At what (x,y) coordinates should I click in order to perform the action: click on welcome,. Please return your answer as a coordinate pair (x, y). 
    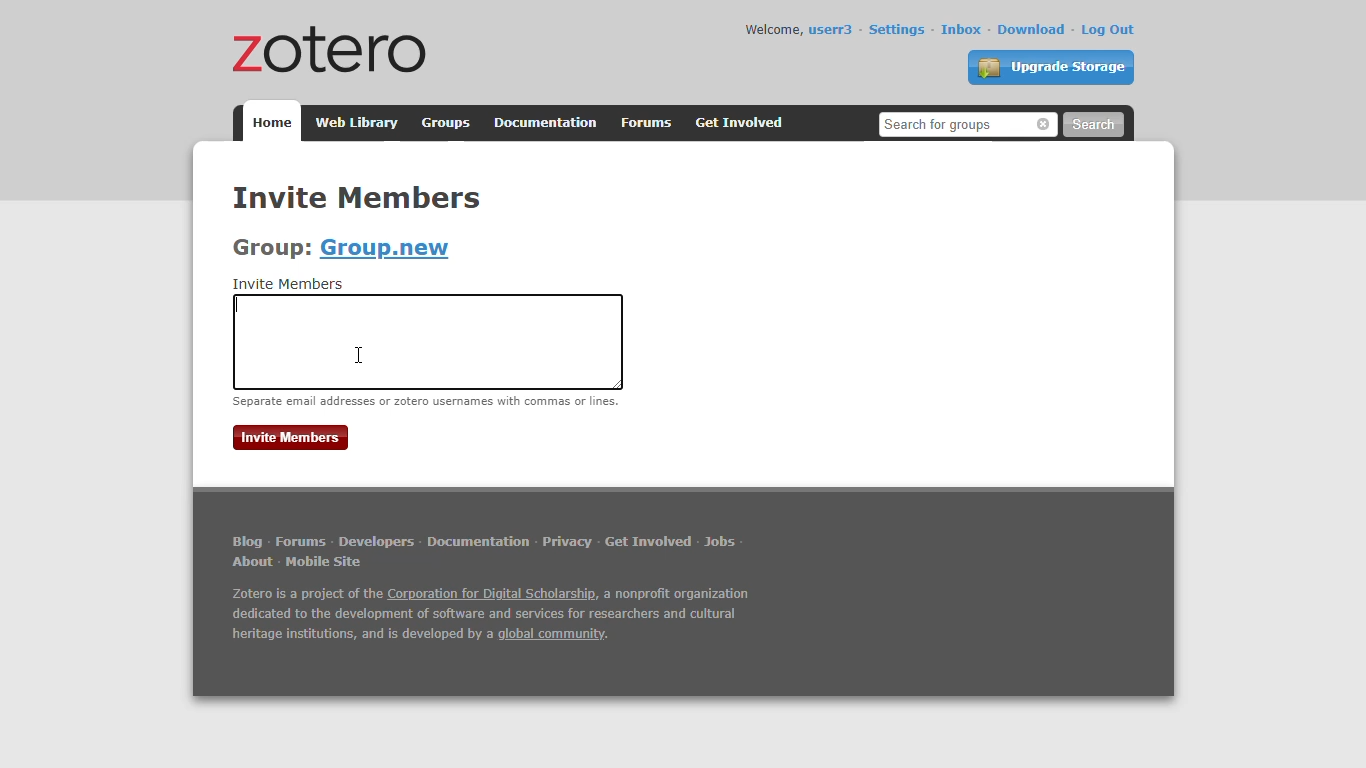
    Looking at the image, I should click on (772, 29).